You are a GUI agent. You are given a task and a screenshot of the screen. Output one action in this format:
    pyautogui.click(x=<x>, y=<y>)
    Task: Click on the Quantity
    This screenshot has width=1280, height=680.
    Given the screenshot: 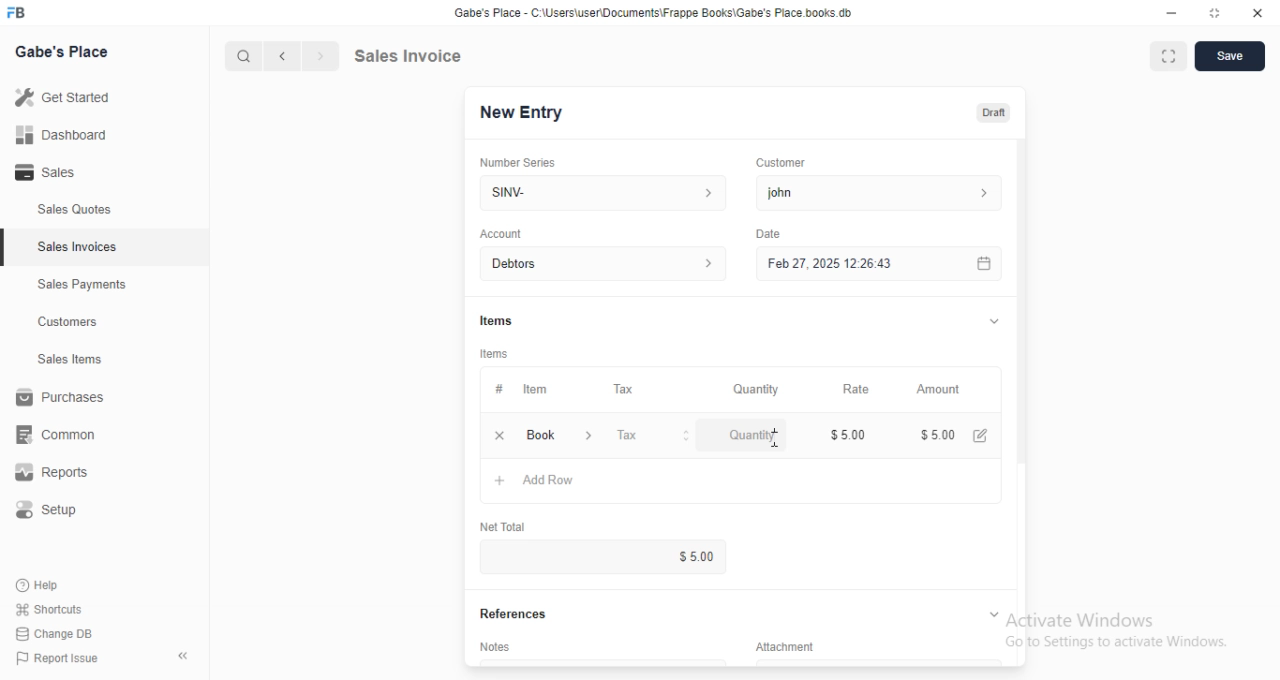 What is the action you would take?
    pyautogui.click(x=756, y=388)
    